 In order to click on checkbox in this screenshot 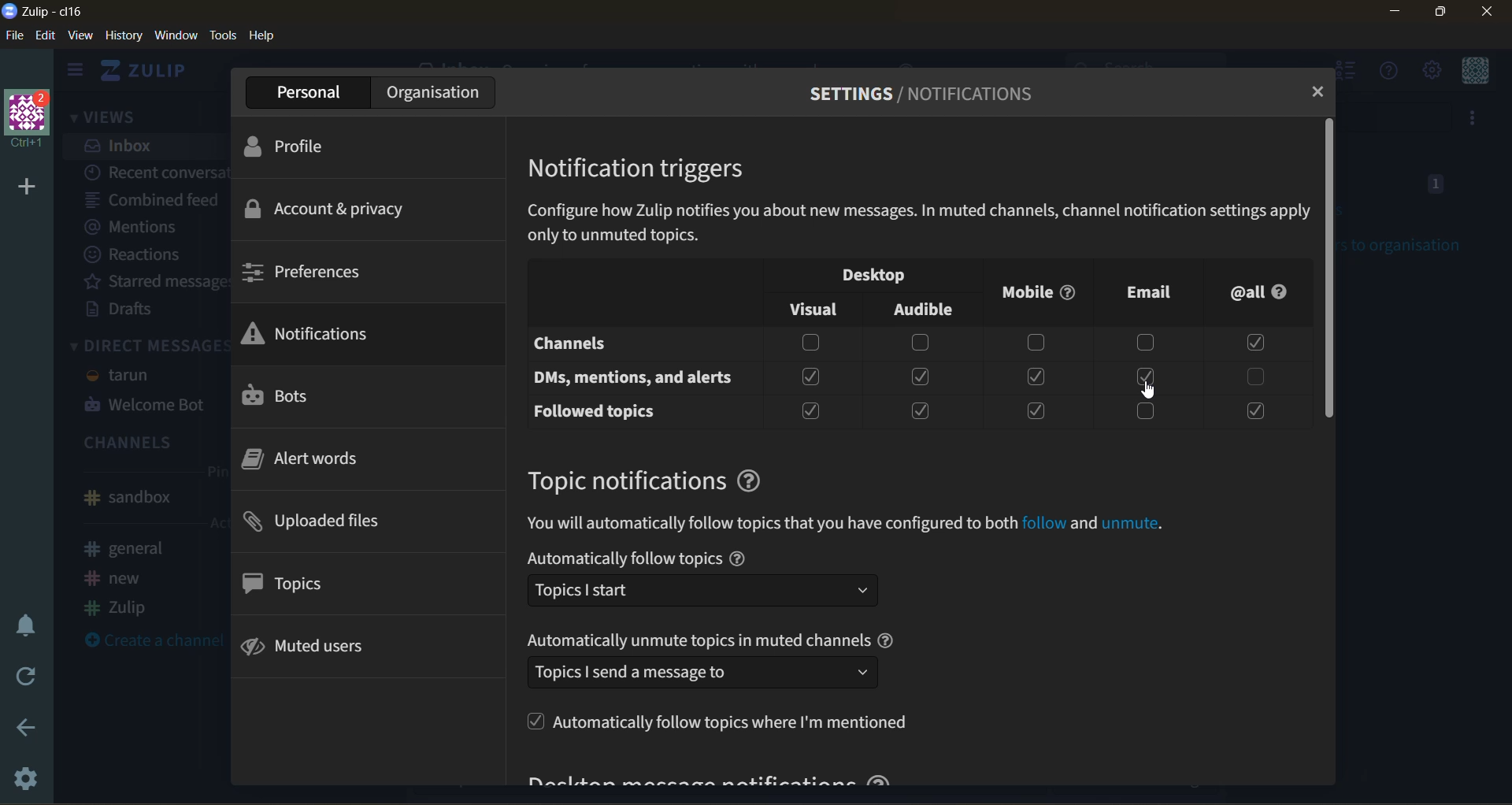, I will do `click(921, 408)`.